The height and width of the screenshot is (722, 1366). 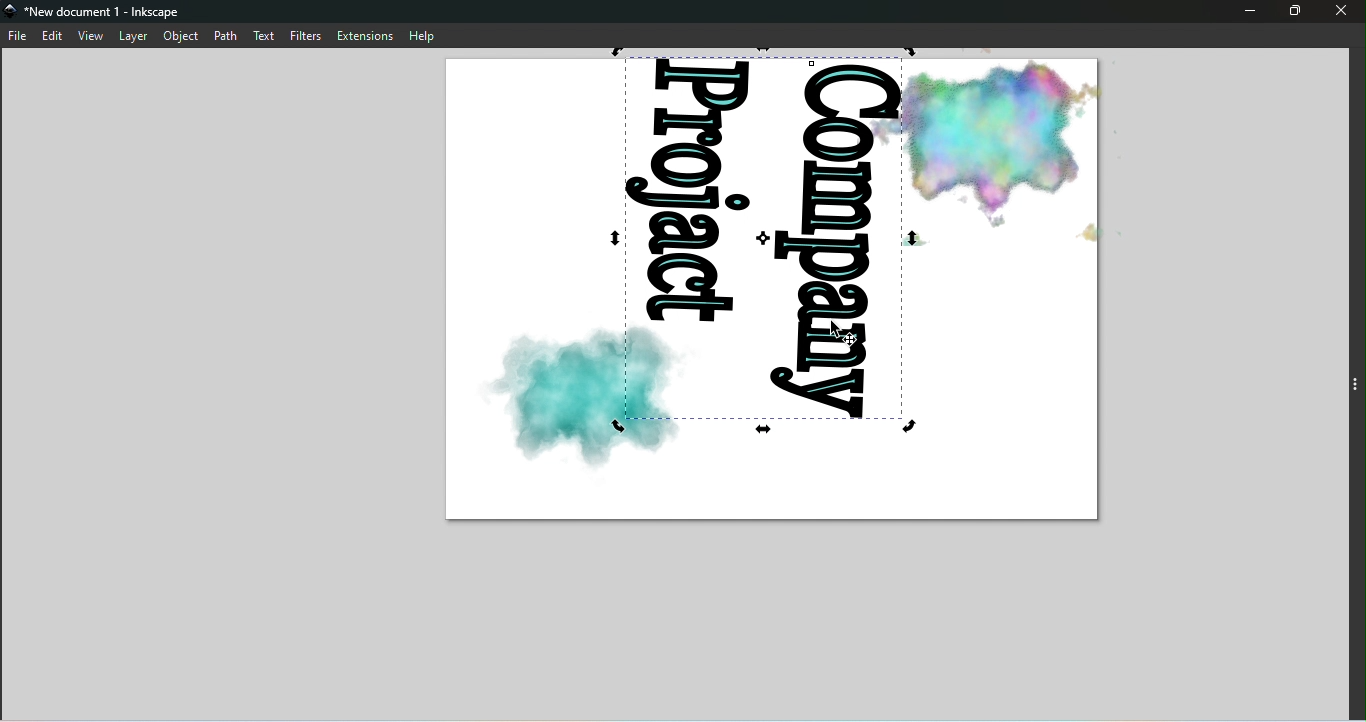 I want to click on Text, so click(x=265, y=35).